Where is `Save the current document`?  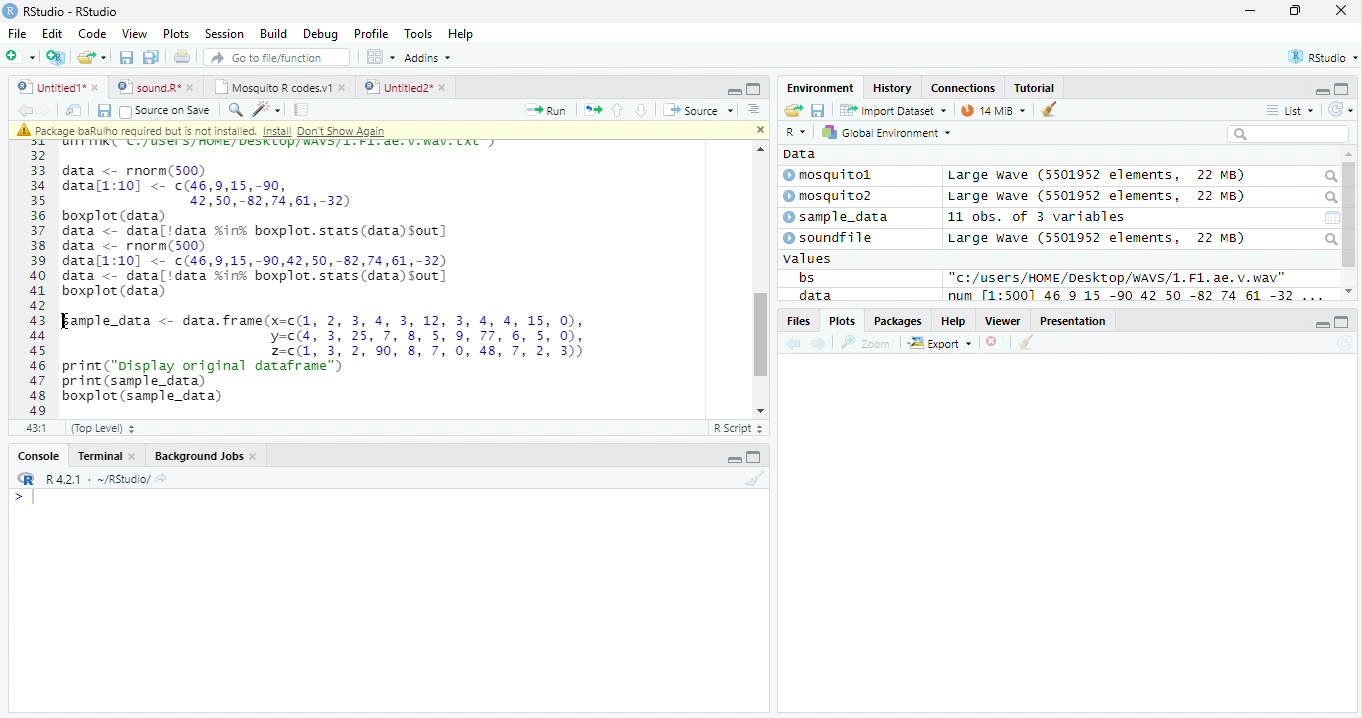 Save the current document is located at coordinates (126, 57).